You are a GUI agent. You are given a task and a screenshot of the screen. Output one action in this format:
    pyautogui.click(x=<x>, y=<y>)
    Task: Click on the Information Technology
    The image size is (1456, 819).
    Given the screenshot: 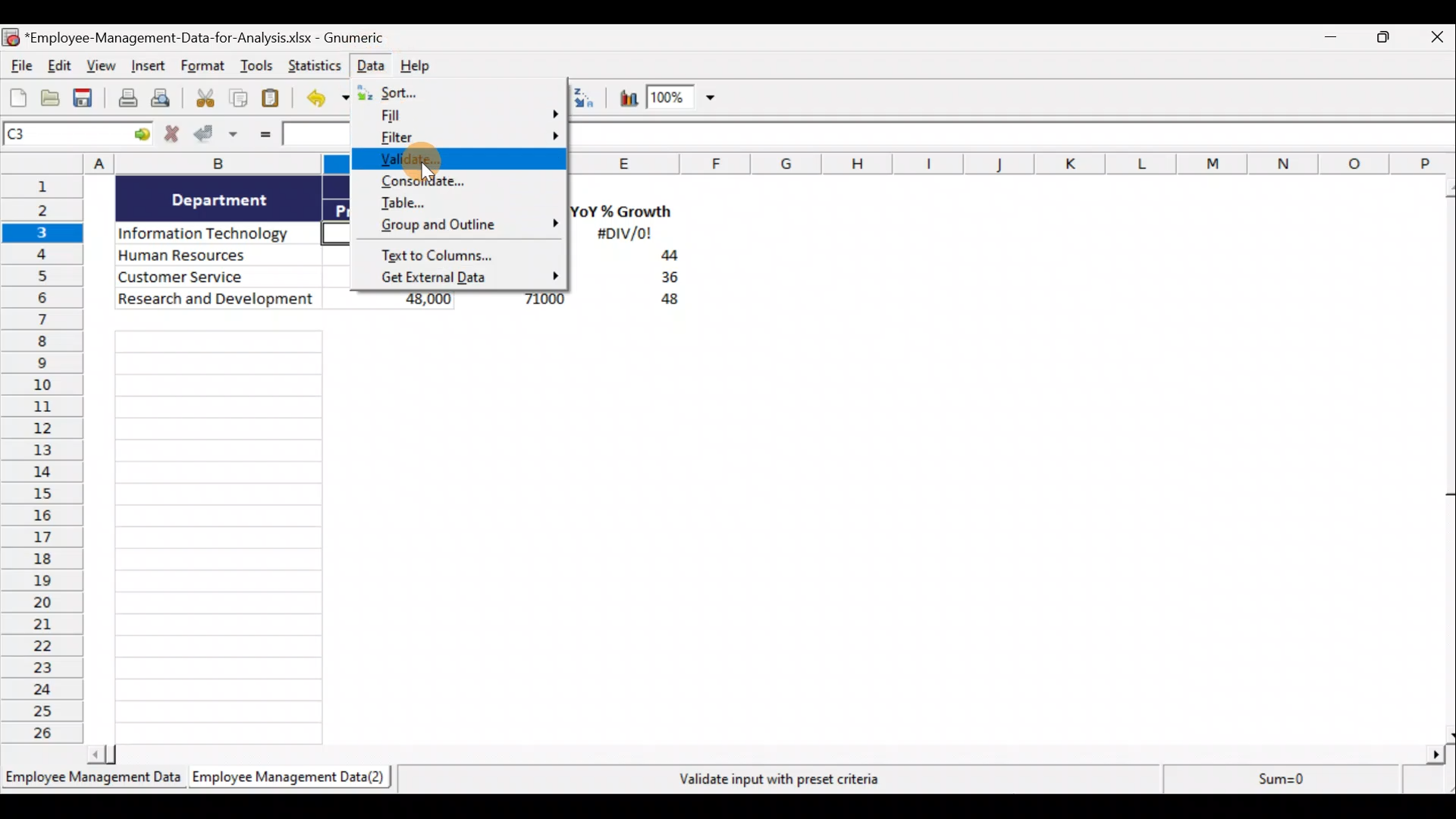 What is the action you would take?
    pyautogui.click(x=218, y=234)
    